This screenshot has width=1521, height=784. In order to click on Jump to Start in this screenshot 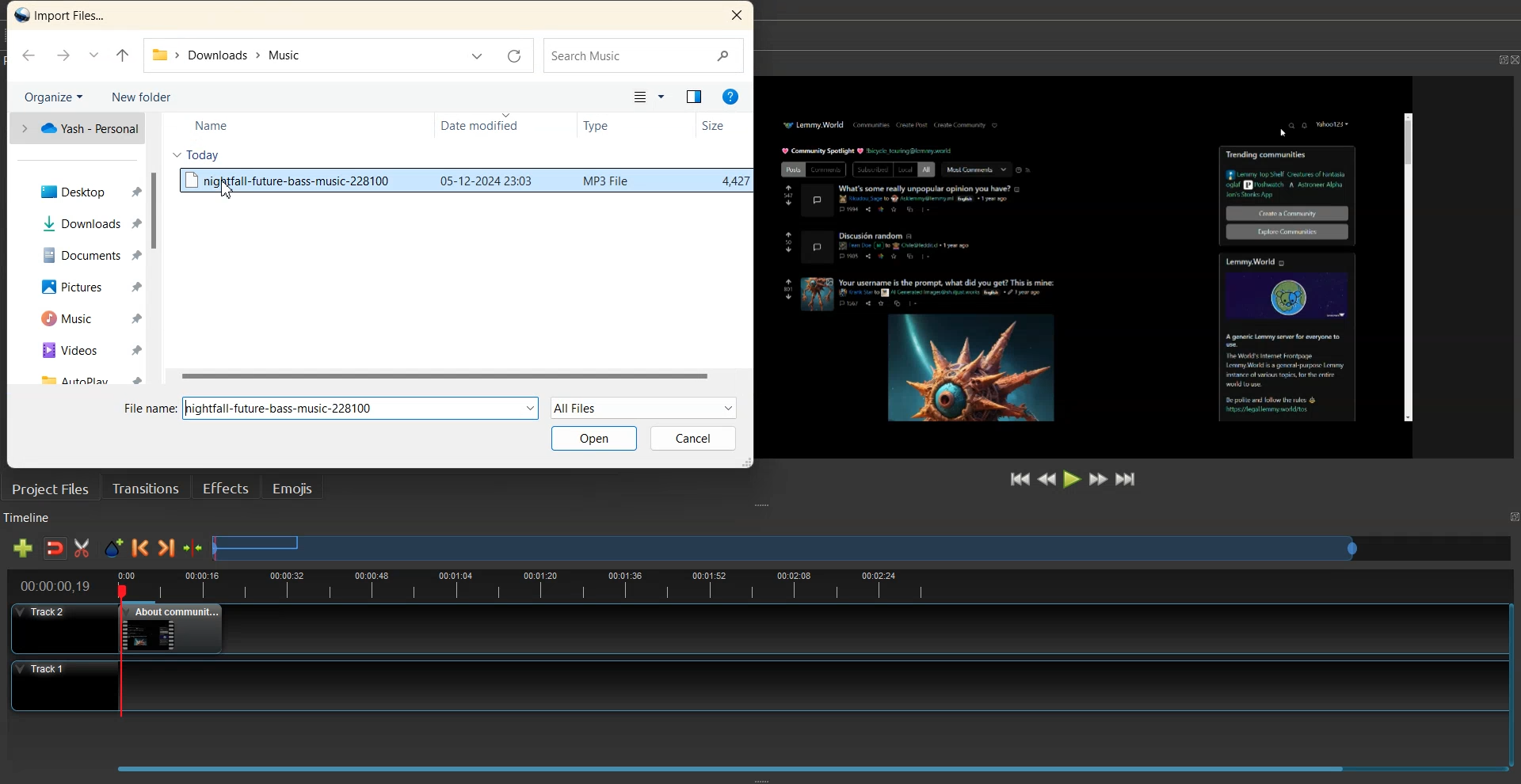, I will do `click(1021, 479)`.